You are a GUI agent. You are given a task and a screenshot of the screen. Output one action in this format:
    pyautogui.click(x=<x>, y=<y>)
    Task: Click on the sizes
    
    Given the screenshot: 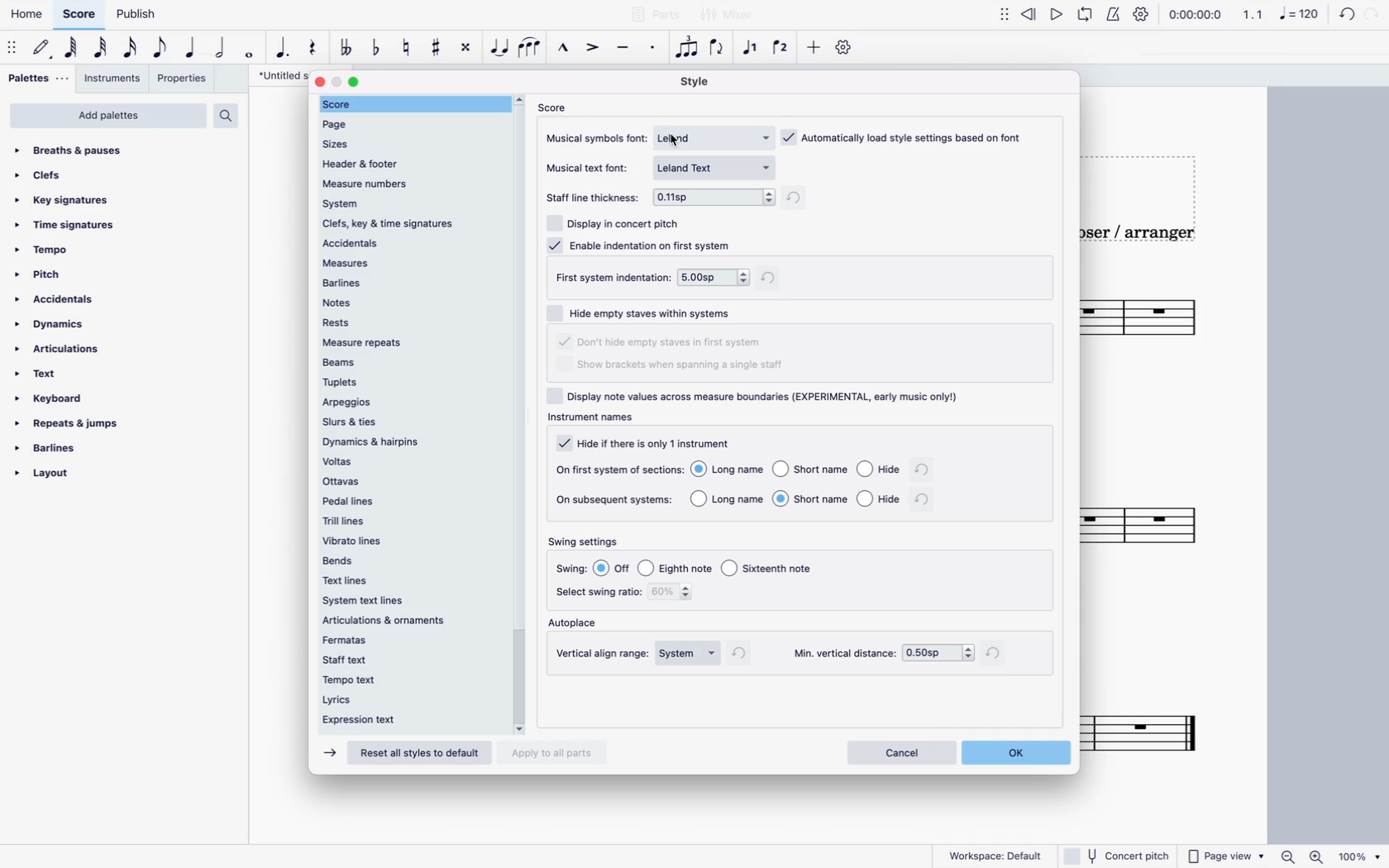 What is the action you would take?
    pyautogui.click(x=406, y=141)
    